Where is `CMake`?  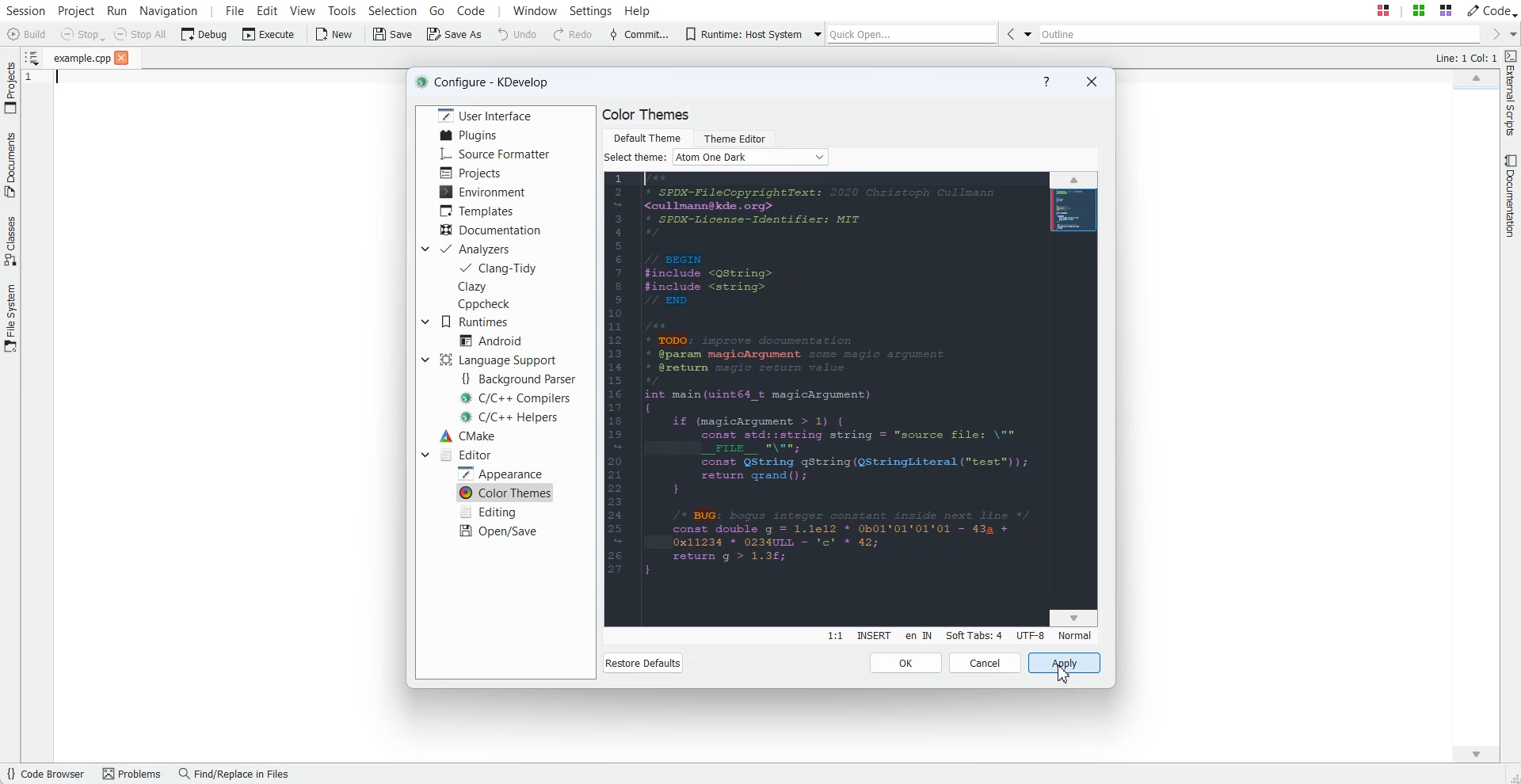 CMake is located at coordinates (467, 436).